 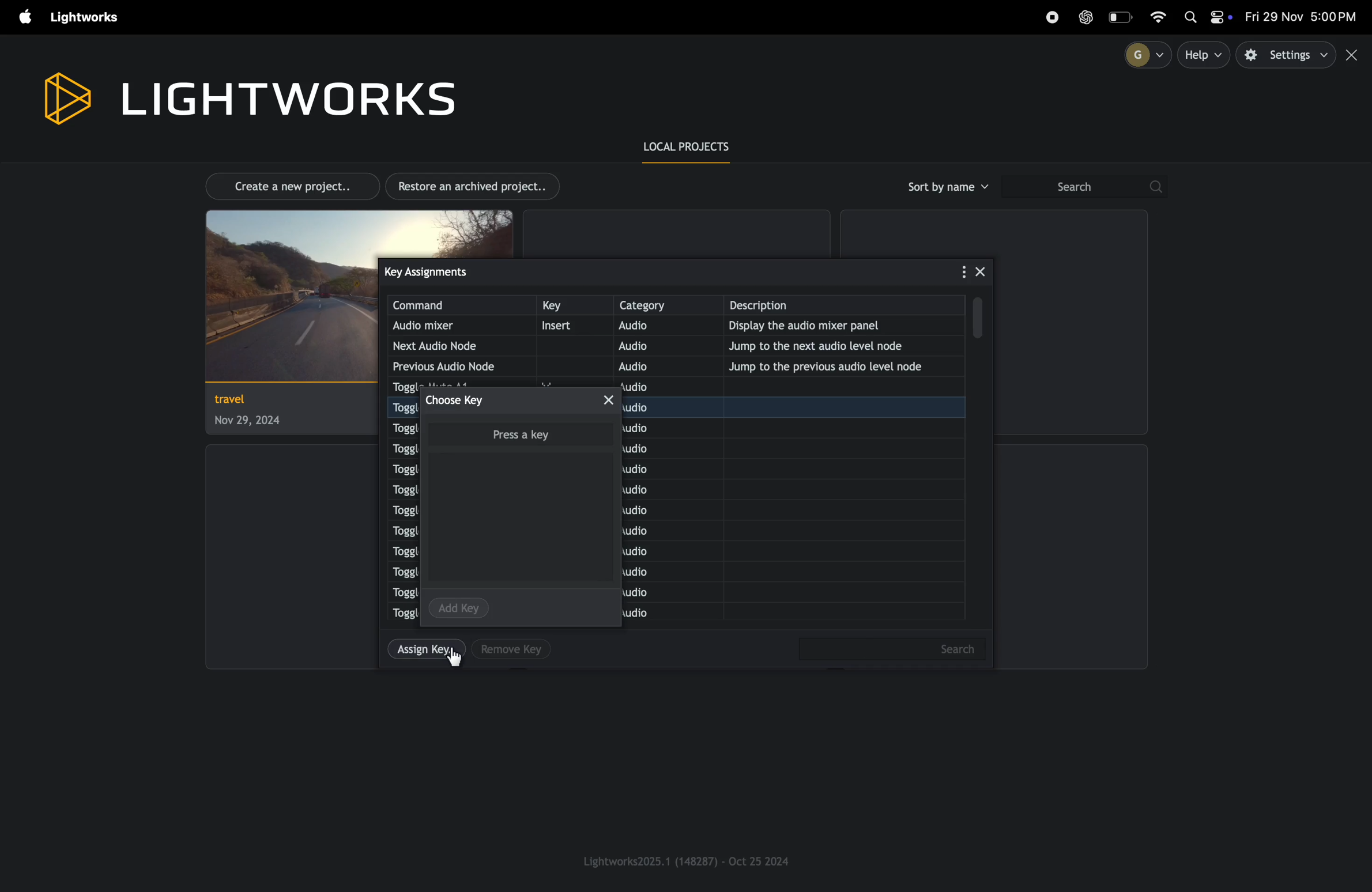 What do you see at coordinates (459, 665) in the screenshot?
I see `cursor` at bounding box center [459, 665].